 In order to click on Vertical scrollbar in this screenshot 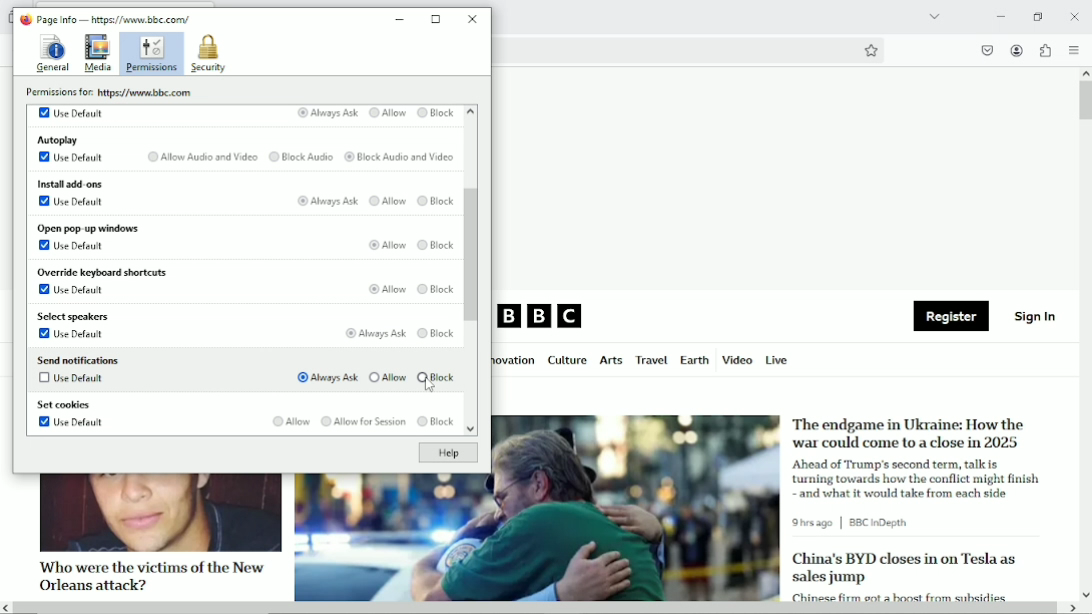, I will do `click(473, 255)`.